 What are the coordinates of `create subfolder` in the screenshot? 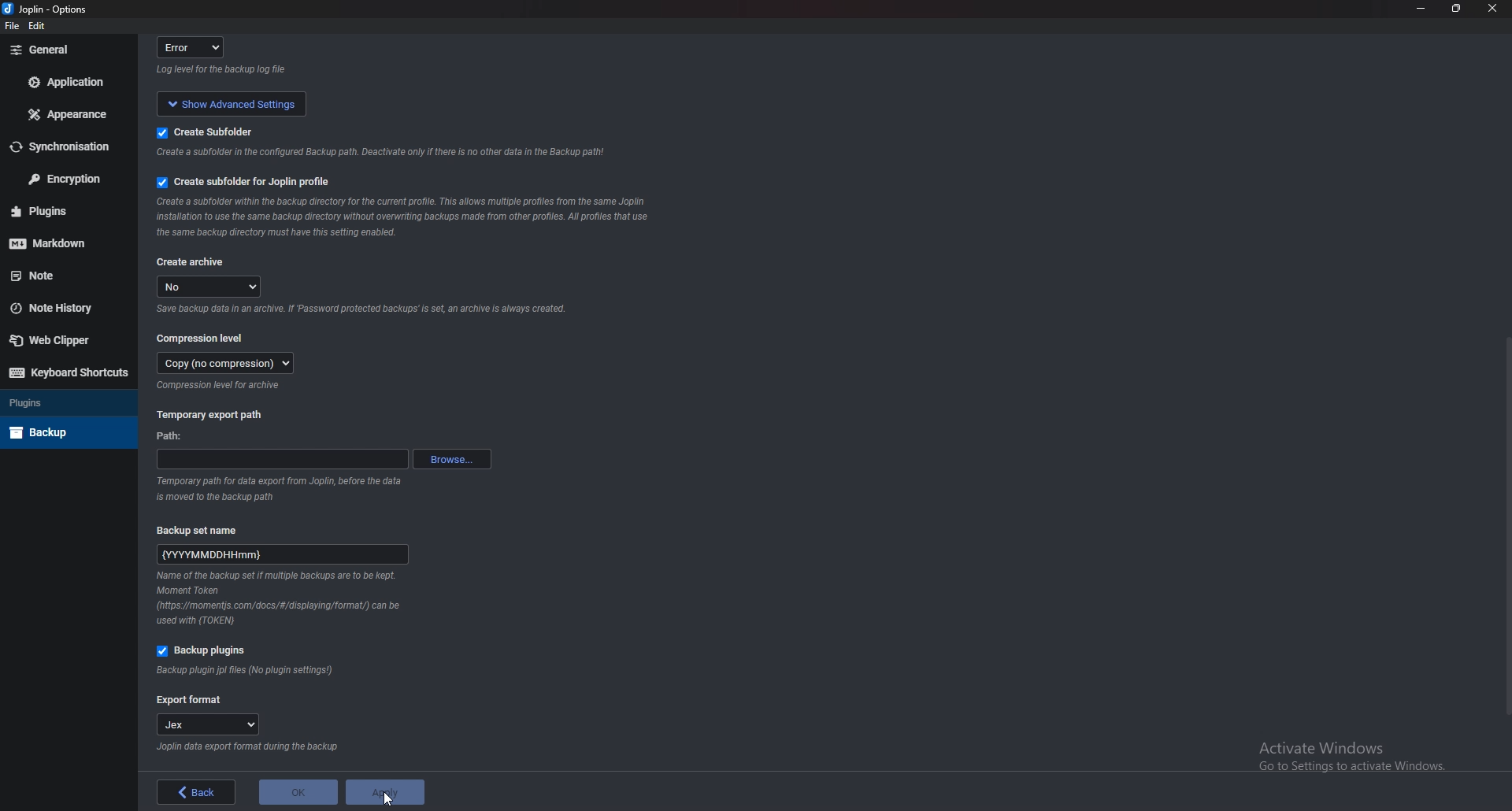 It's located at (226, 131).